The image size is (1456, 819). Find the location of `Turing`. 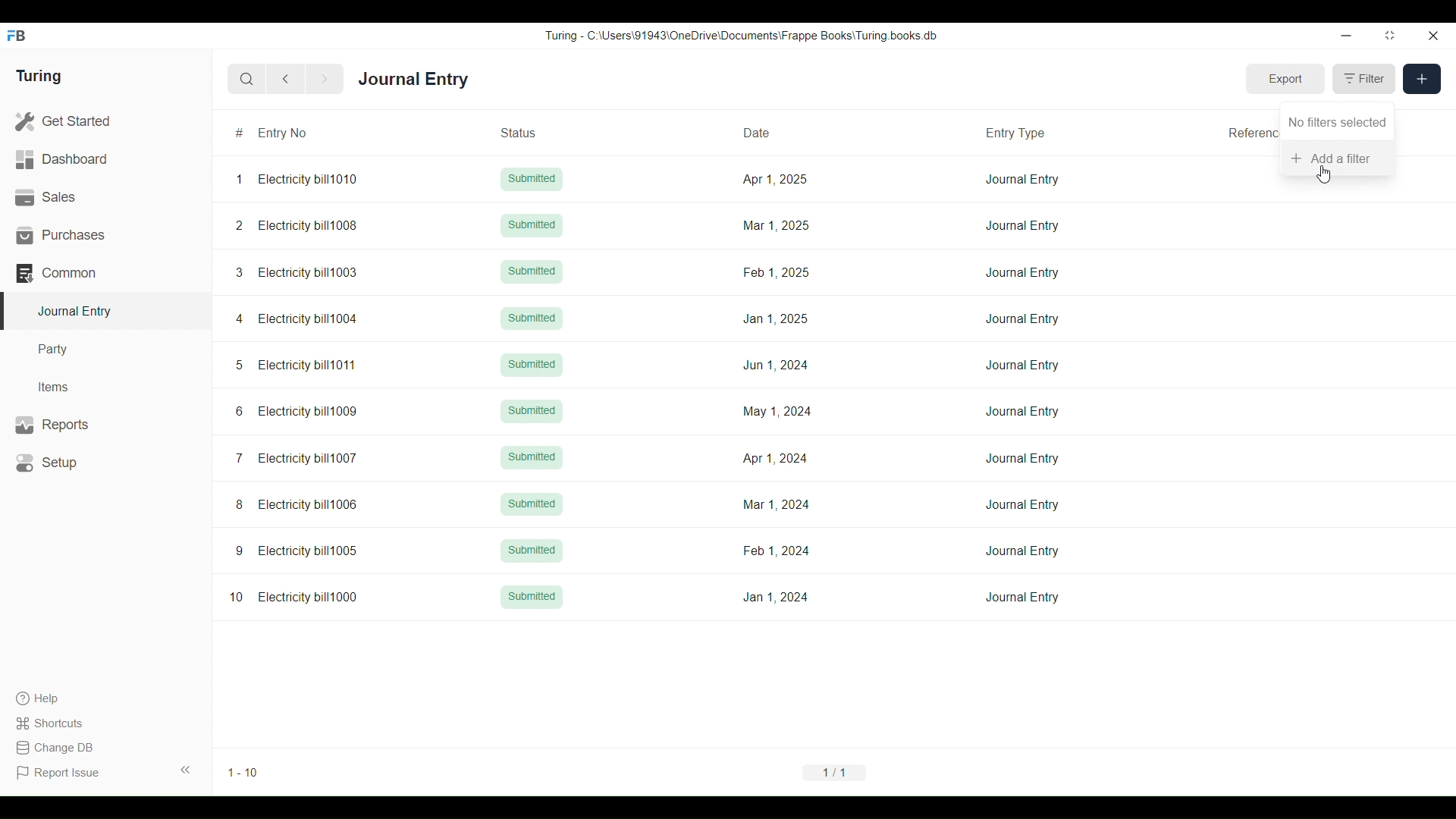

Turing is located at coordinates (39, 76).